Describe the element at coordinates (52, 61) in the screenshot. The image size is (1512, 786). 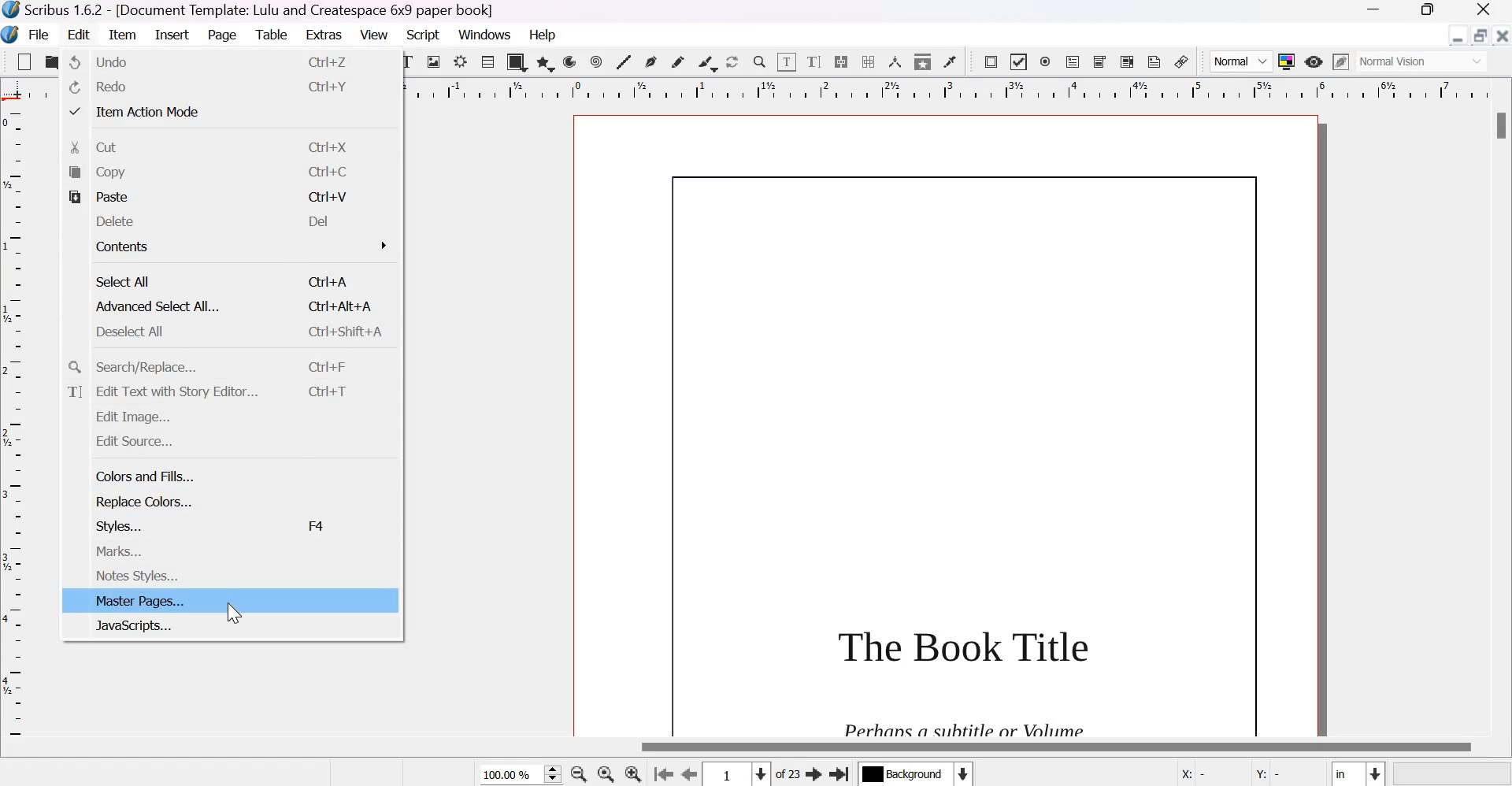
I see `open` at that location.